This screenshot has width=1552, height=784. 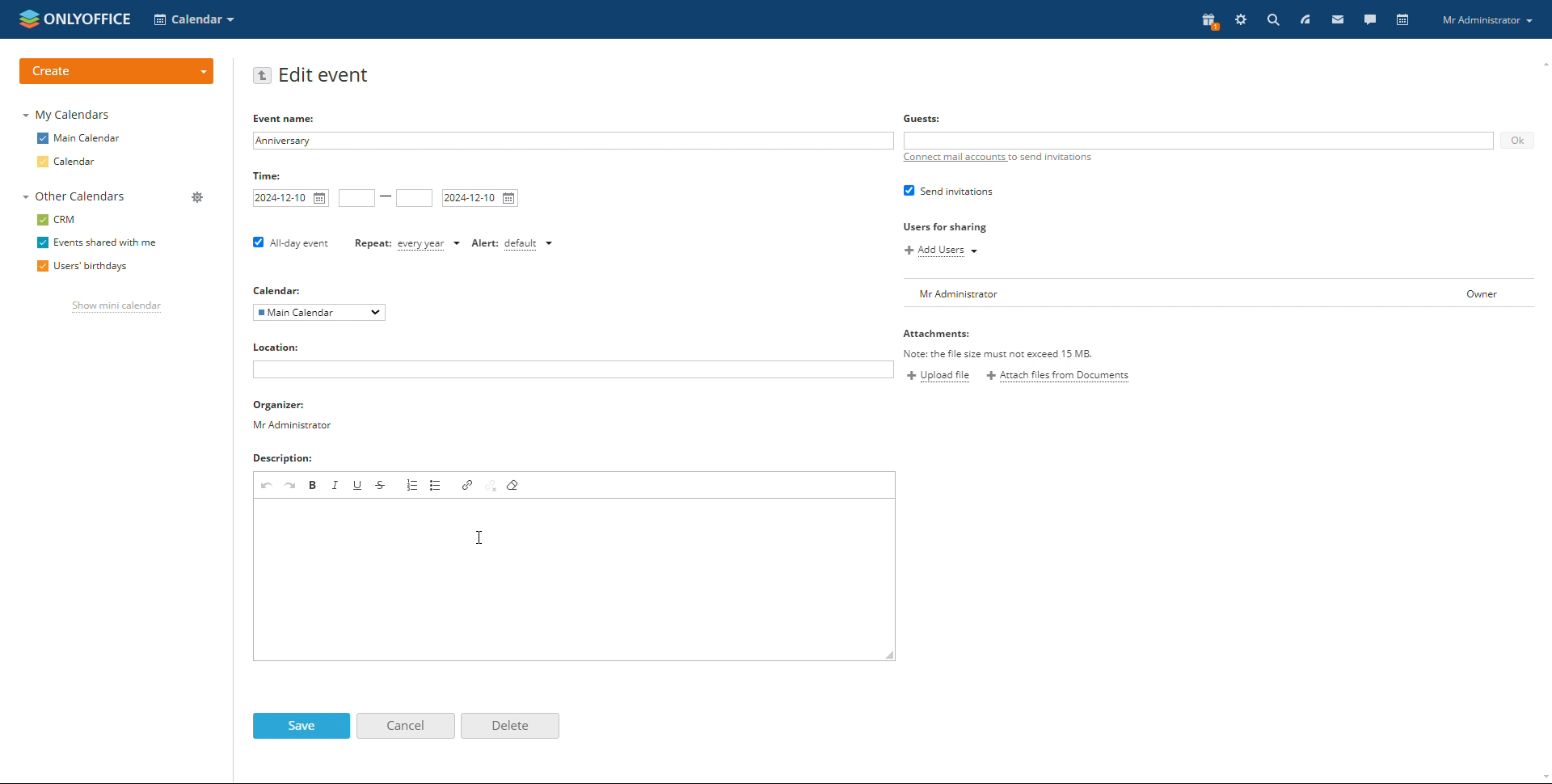 What do you see at coordinates (116, 72) in the screenshot?
I see `create` at bounding box center [116, 72].